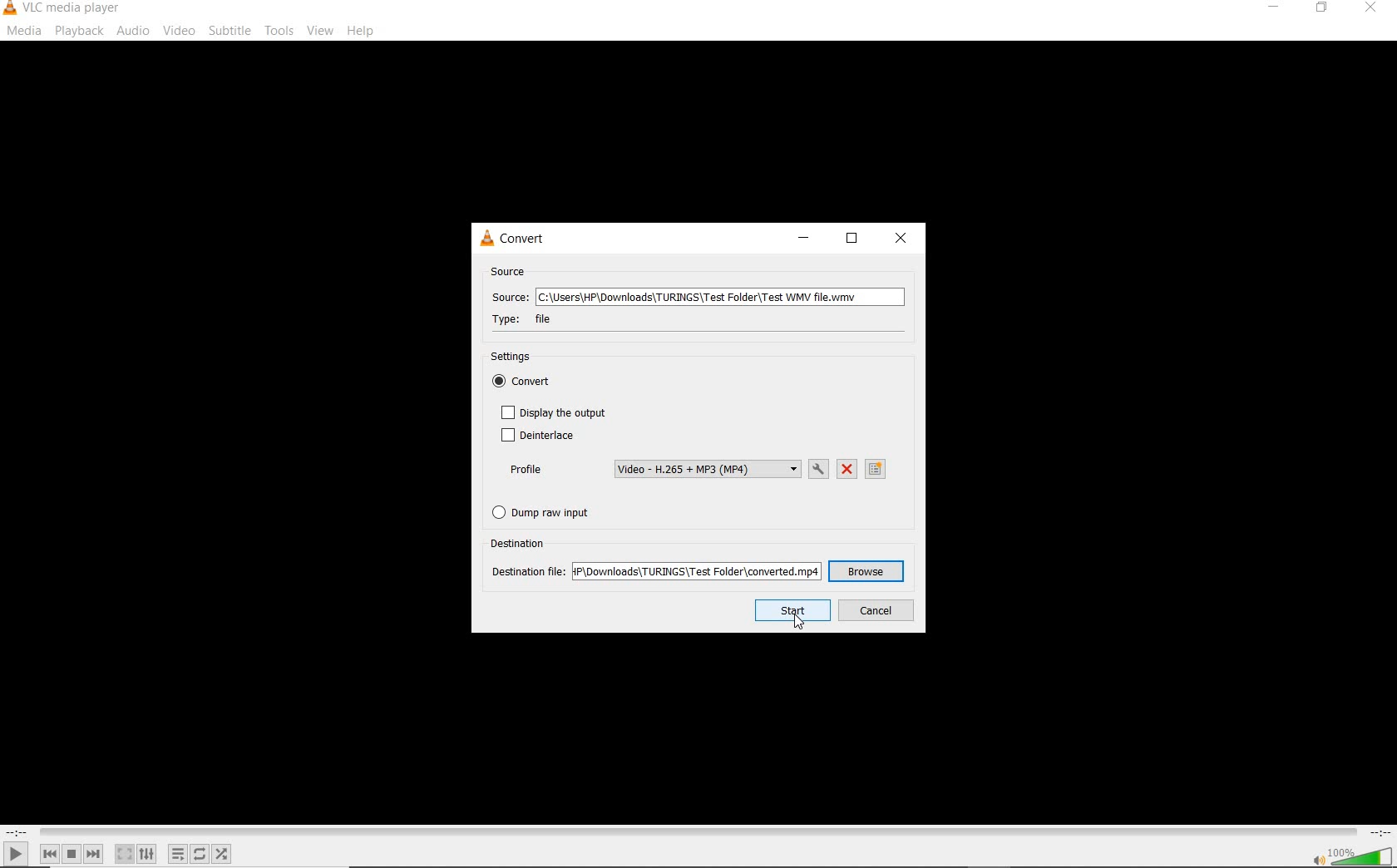 The image size is (1397, 868). Describe the element at coordinates (536, 319) in the screenshot. I see `TYPE: FILE` at that location.